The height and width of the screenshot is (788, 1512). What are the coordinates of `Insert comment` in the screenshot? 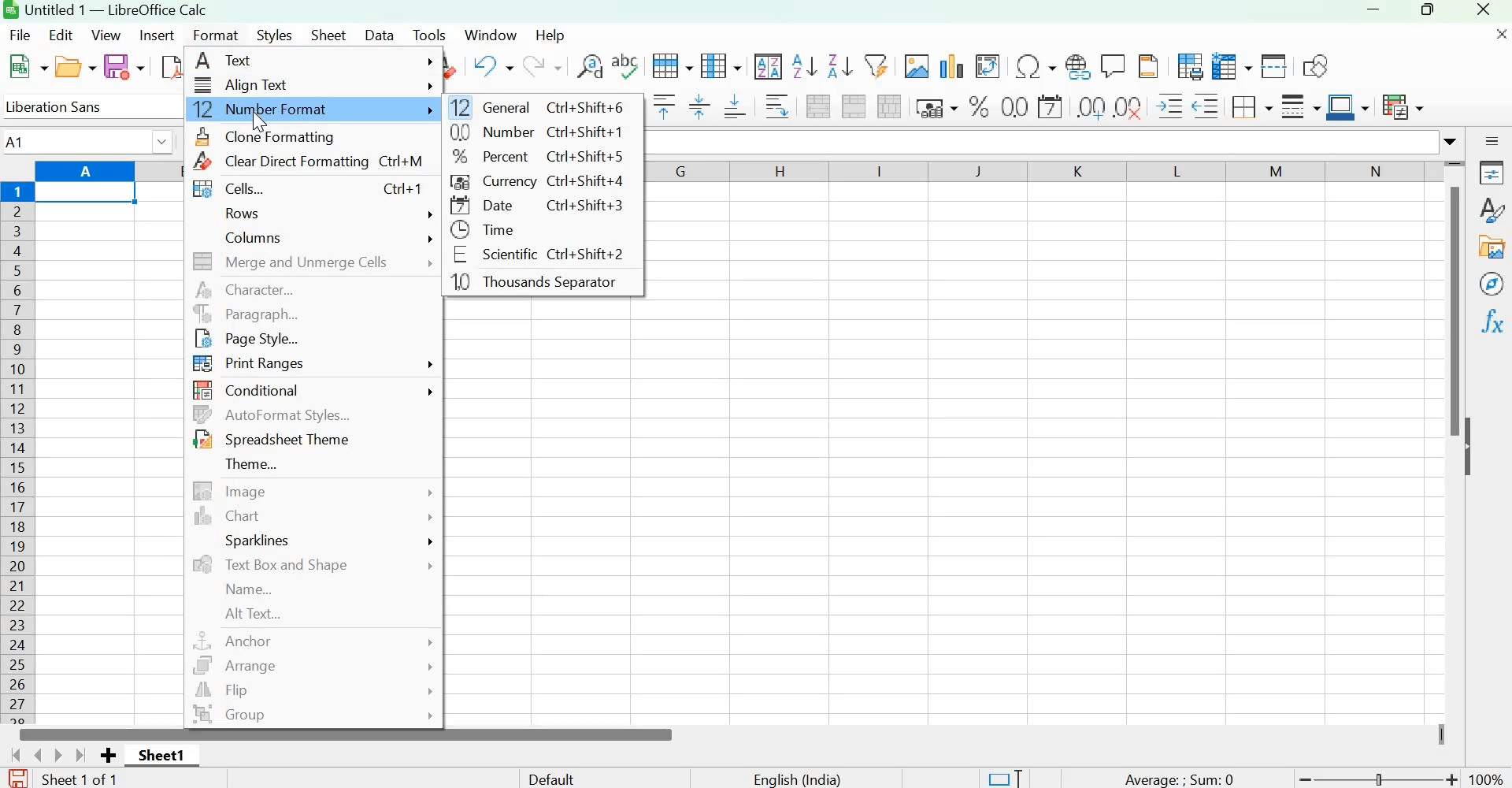 It's located at (1114, 65).